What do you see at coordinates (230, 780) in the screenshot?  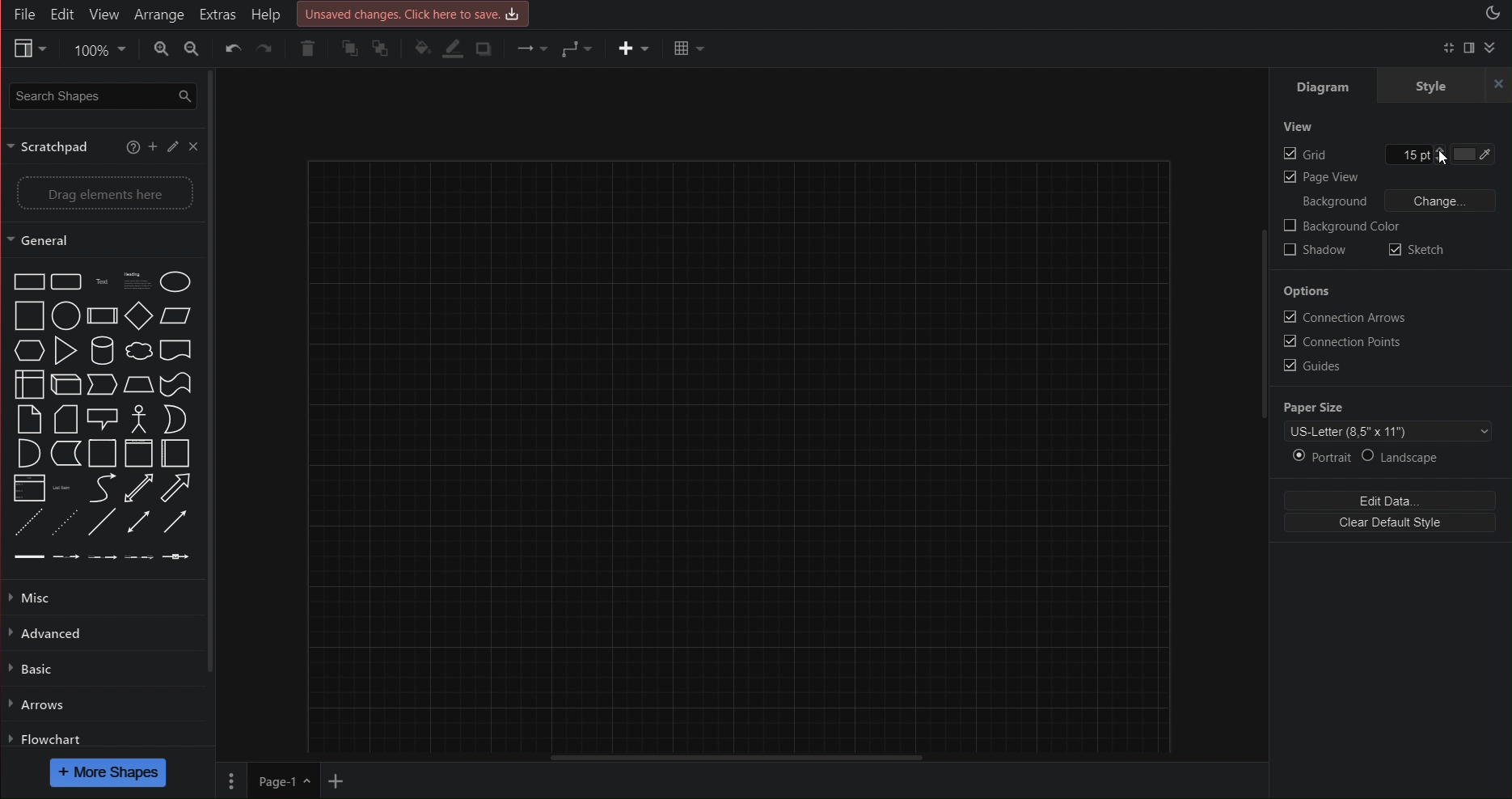 I see `Pages` at bounding box center [230, 780].